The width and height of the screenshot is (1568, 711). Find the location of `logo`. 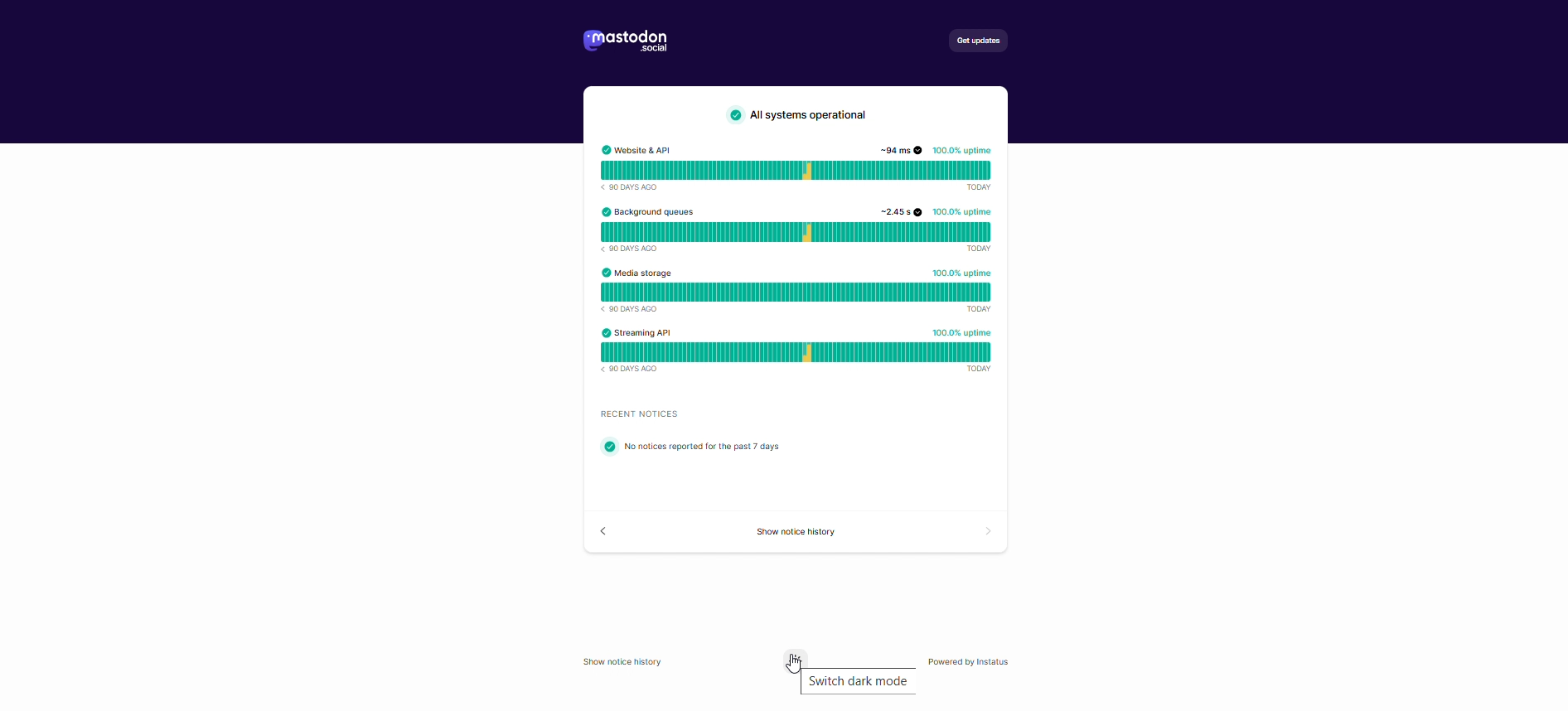

logo is located at coordinates (634, 40).